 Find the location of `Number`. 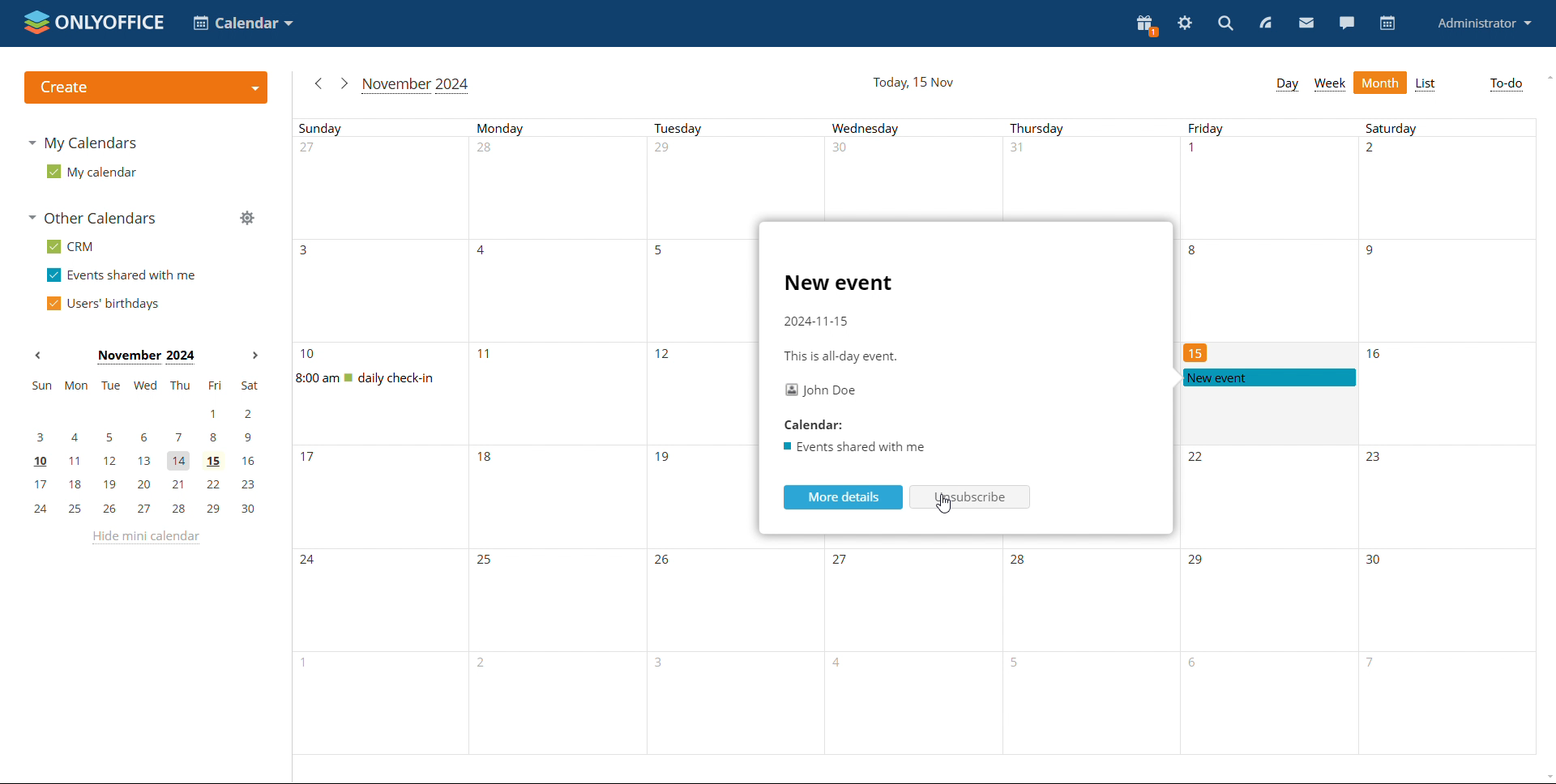

Number is located at coordinates (666, 151).